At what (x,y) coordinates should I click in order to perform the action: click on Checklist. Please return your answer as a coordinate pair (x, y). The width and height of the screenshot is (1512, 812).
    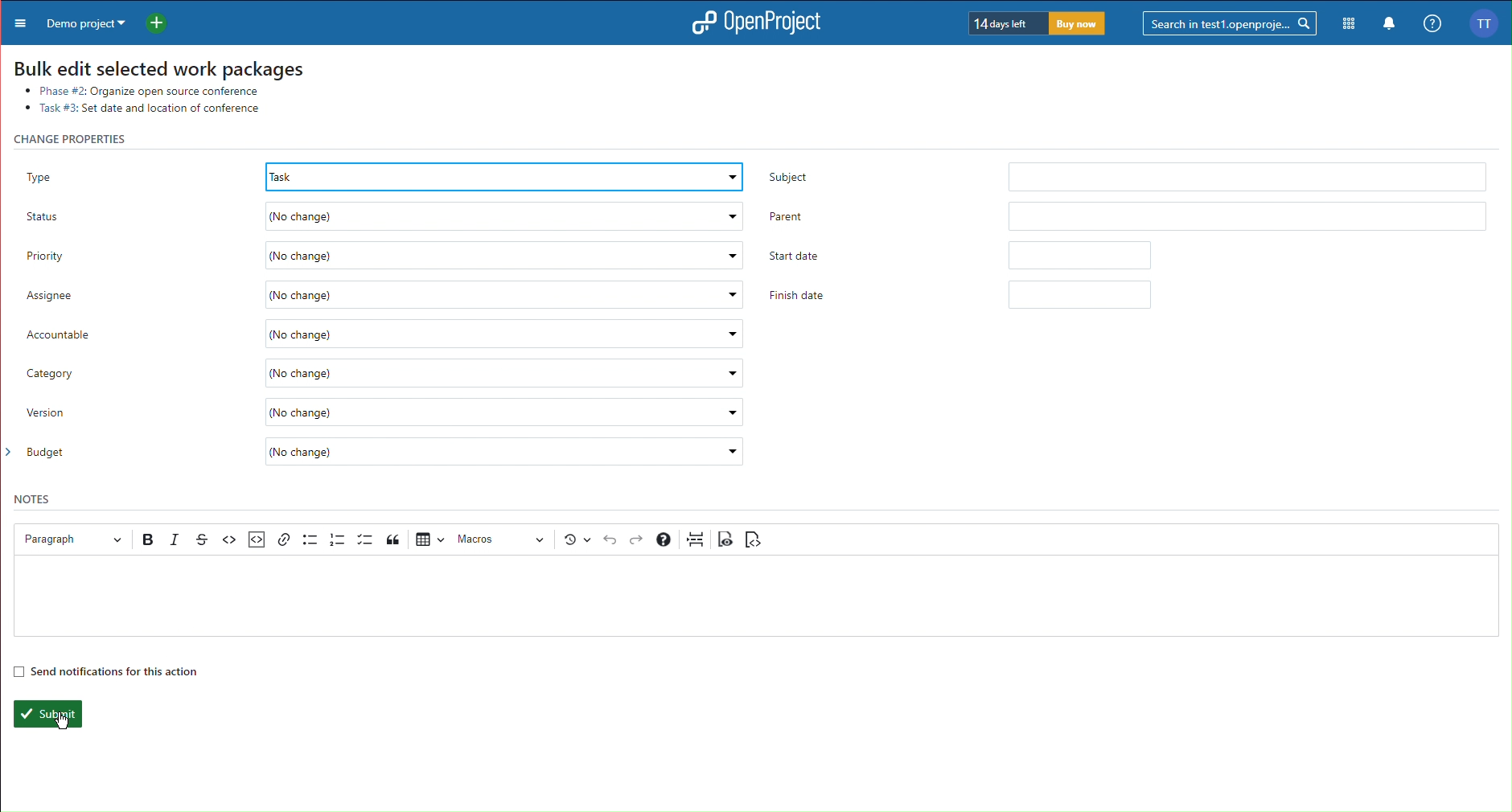
    Looking at the image, I should click on (365, 539).